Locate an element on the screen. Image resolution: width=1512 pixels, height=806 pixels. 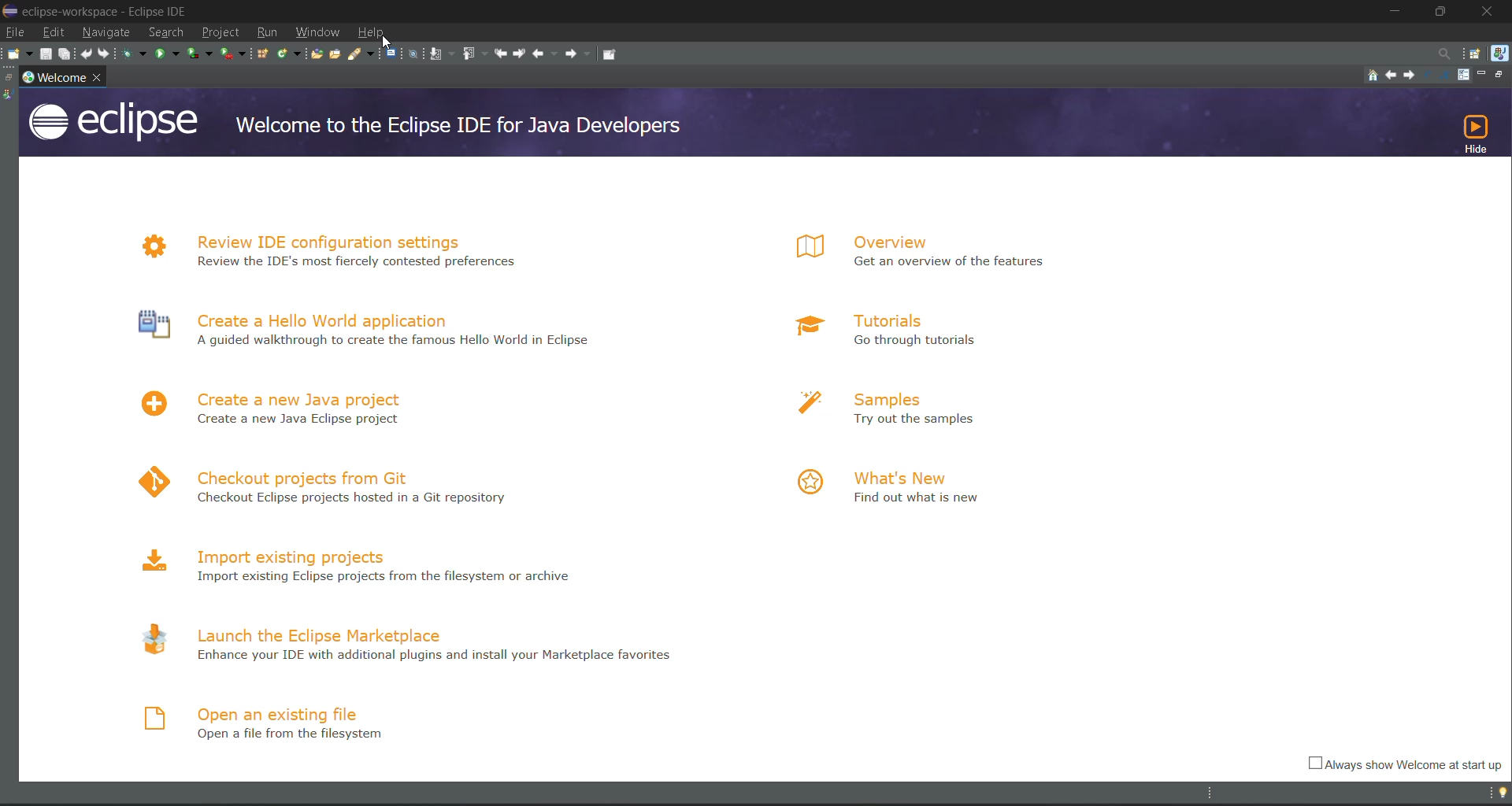
new java class is located at coordinates (287, 54).